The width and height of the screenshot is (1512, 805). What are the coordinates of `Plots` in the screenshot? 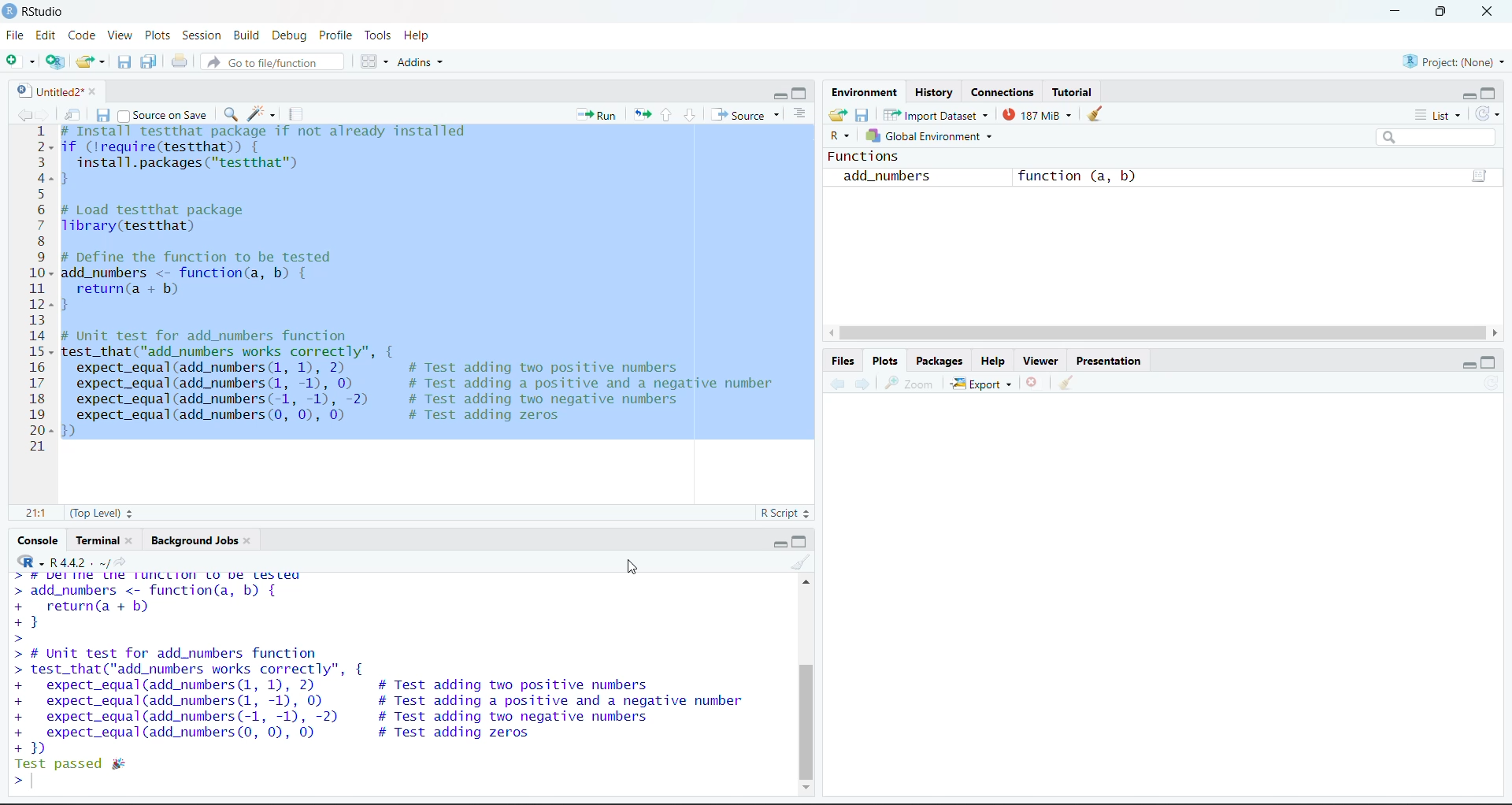 It's located at (884, 362).